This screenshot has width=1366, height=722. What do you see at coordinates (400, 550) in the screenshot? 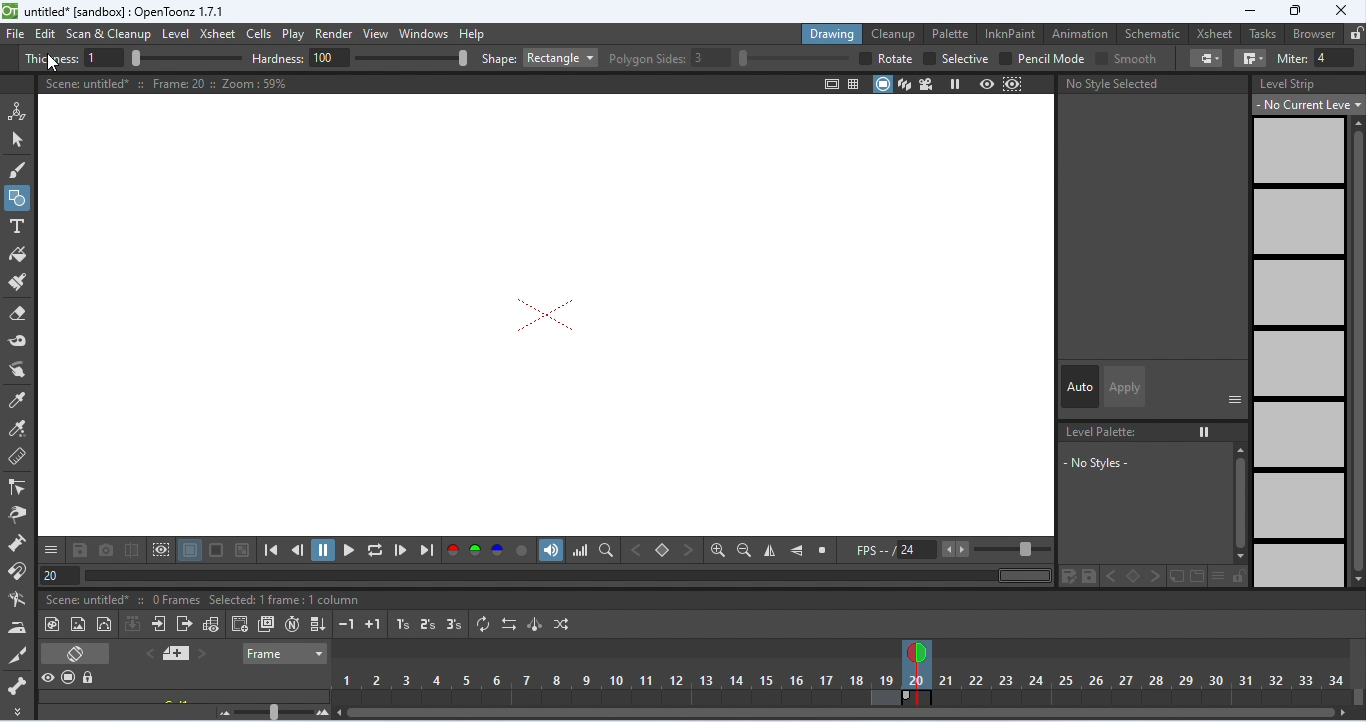
I see `next frame` at bounding box center [400, 550].